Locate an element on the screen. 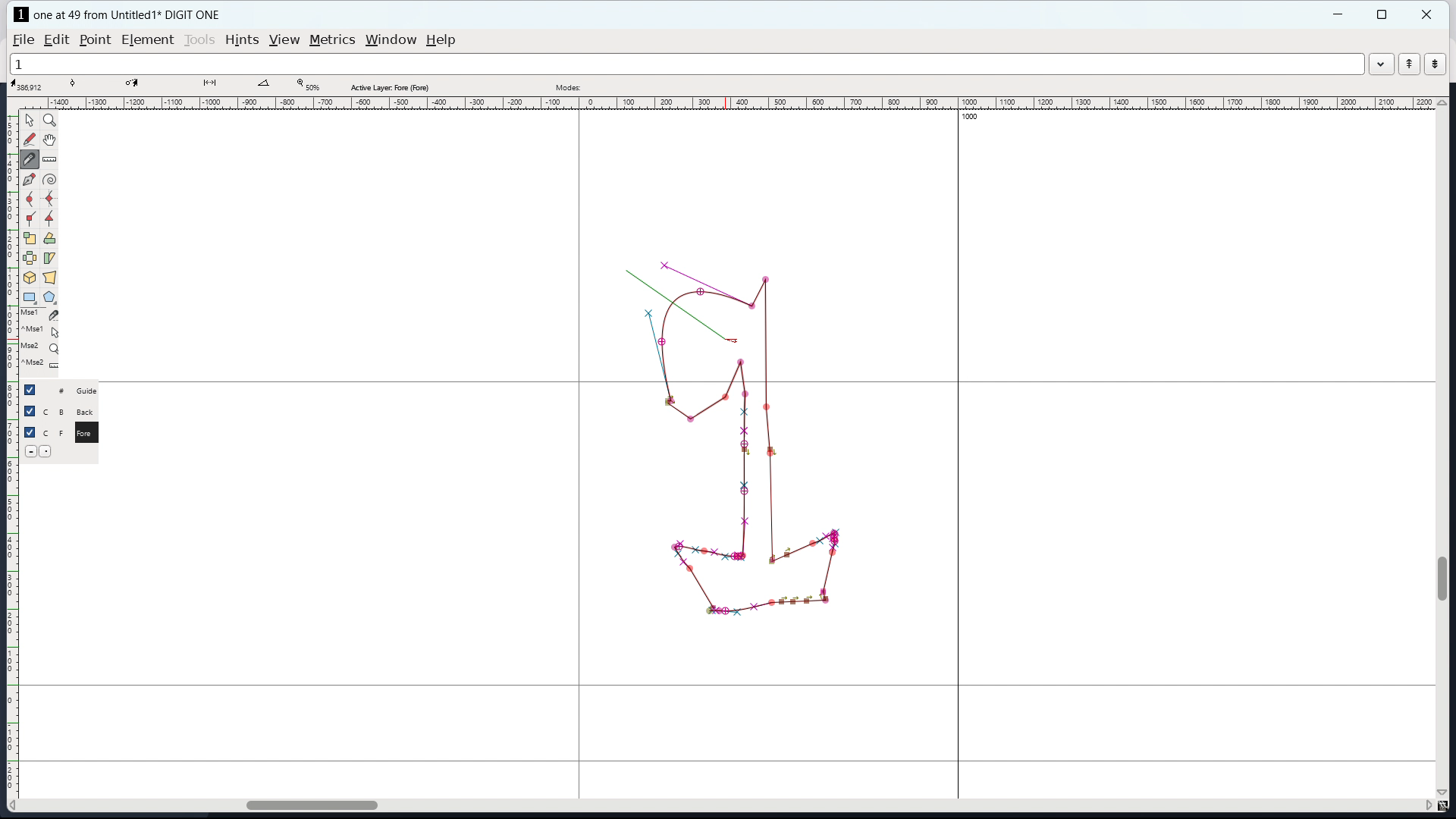 This screenshot has width=1456, height=819. C F is located at coordinates (53, 431).